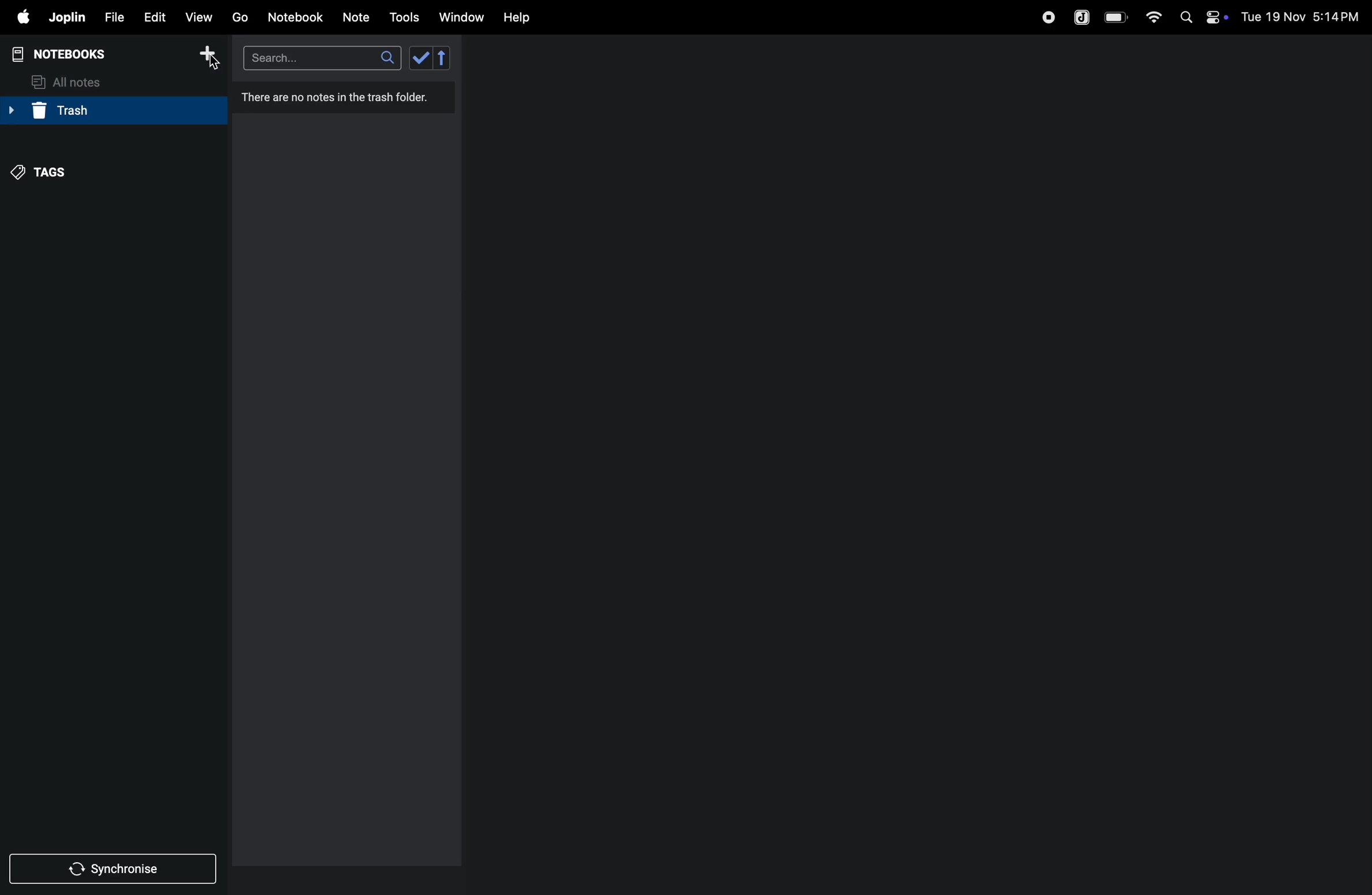 The height and width of the screenshot is (895, 1372). Describe the element at coordinates (340, 99) in the screenshot. I see `there are no notes in trash folder` at that location.